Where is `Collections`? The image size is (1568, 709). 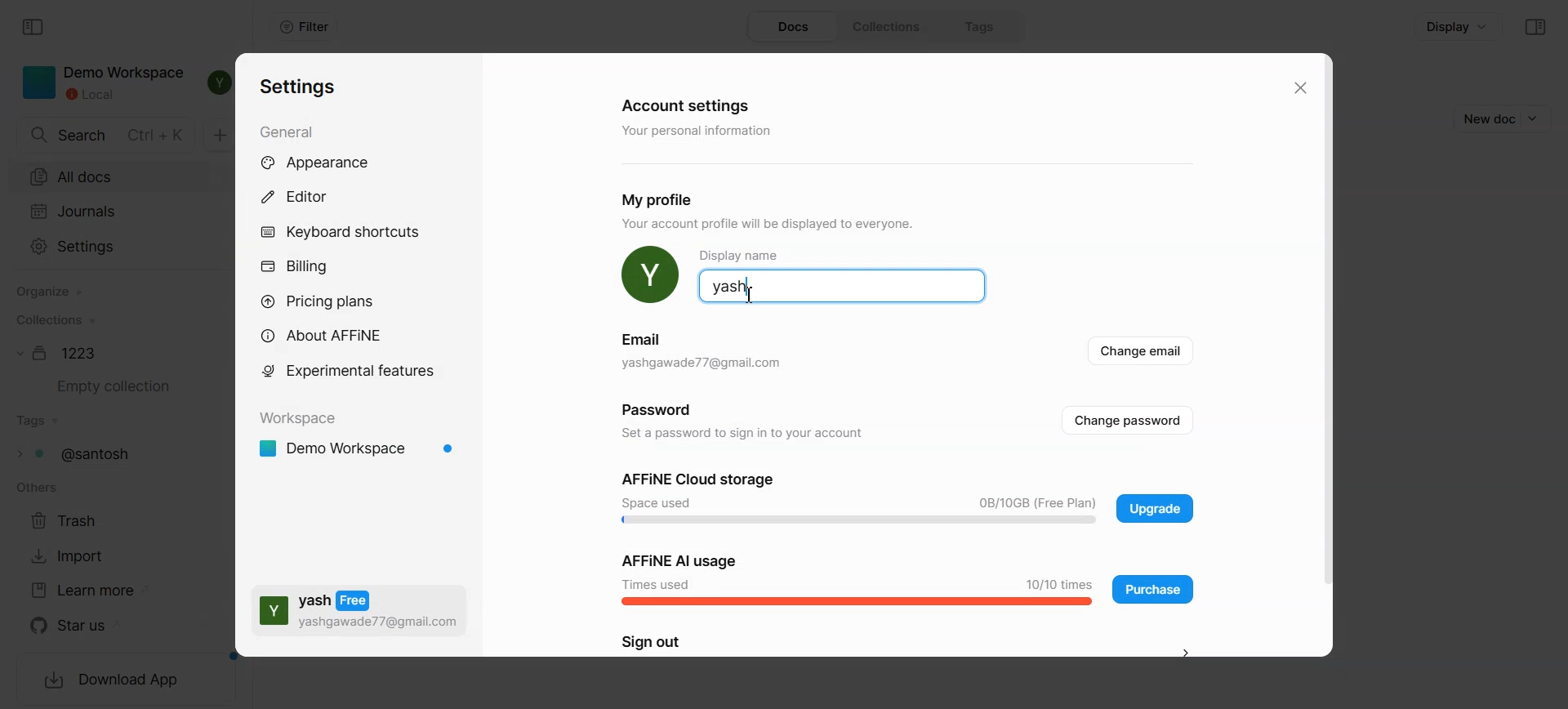 Collections is located at coordinates (892, 27).